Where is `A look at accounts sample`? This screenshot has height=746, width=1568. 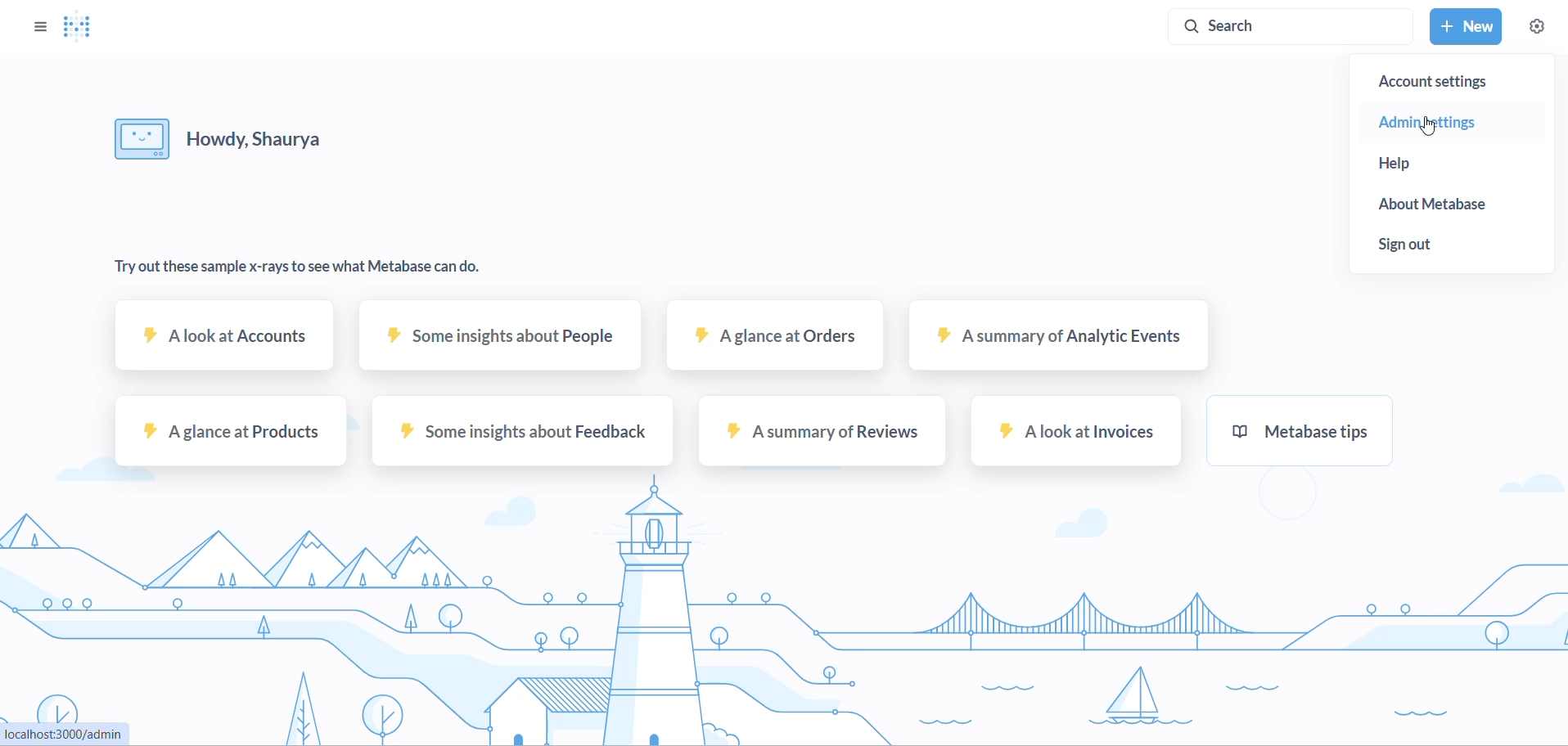
A look at accounts sample is located at coordinates (210, 339).